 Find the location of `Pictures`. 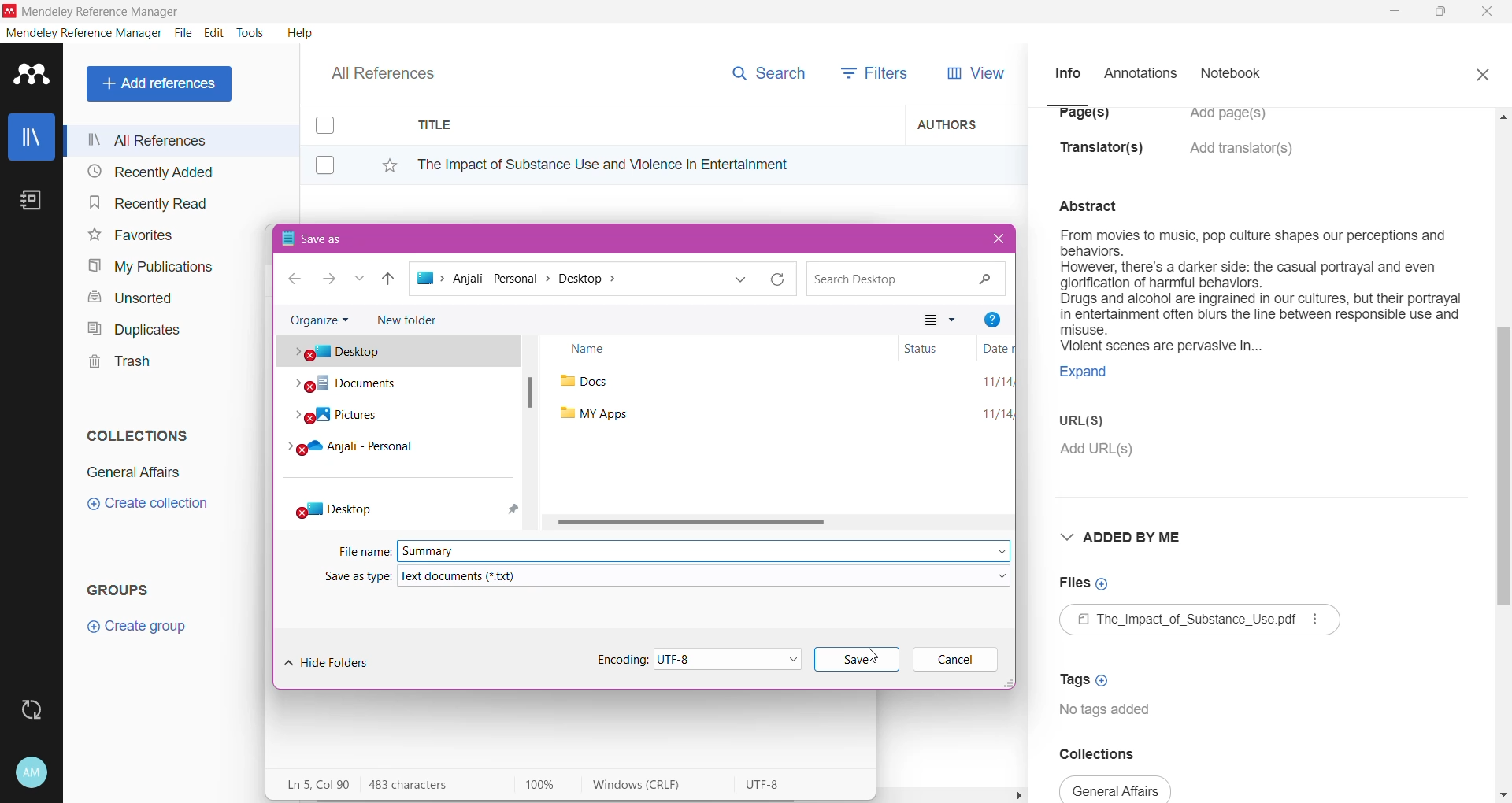

Pictures is located at coordinates (353, 419).